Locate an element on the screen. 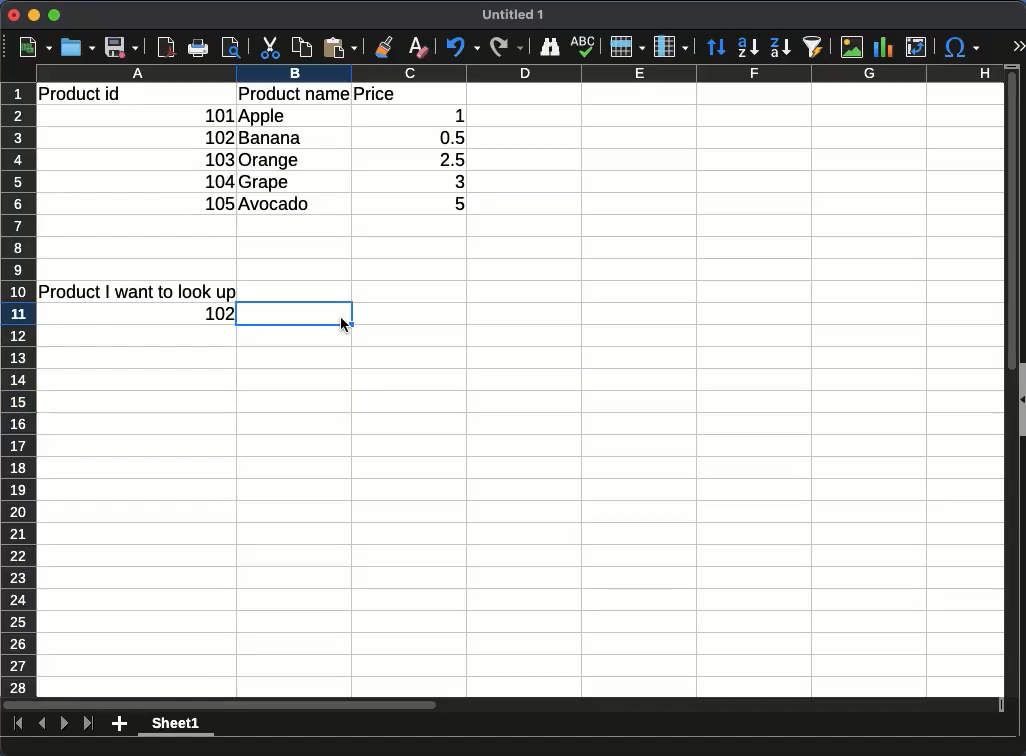 This screenshot has width=1026, height=756. 3 is located at coordinates (450, 182).